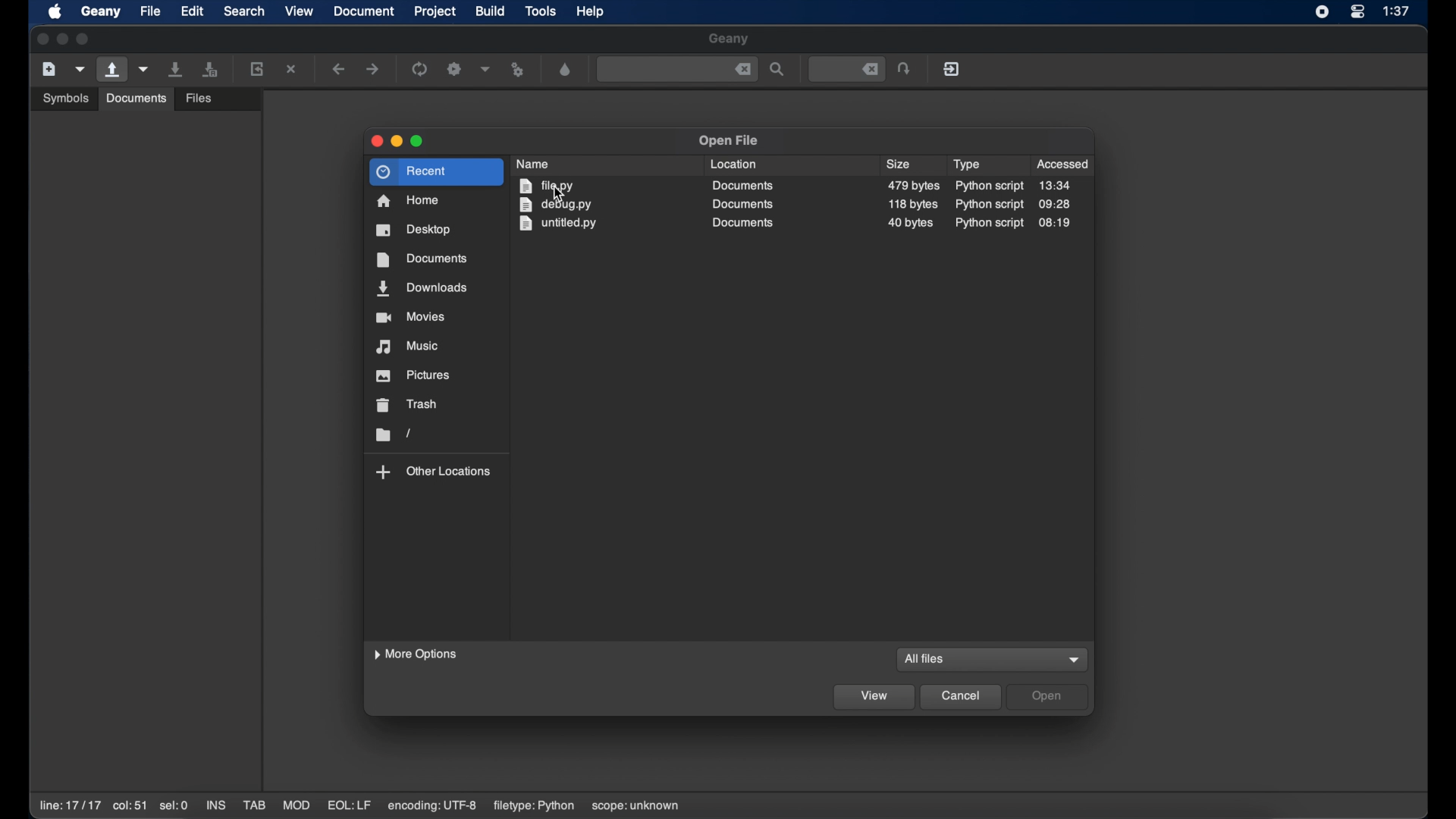 This screenshot has width=1456, height=819. I want to click on cancel, so click(962, 698).